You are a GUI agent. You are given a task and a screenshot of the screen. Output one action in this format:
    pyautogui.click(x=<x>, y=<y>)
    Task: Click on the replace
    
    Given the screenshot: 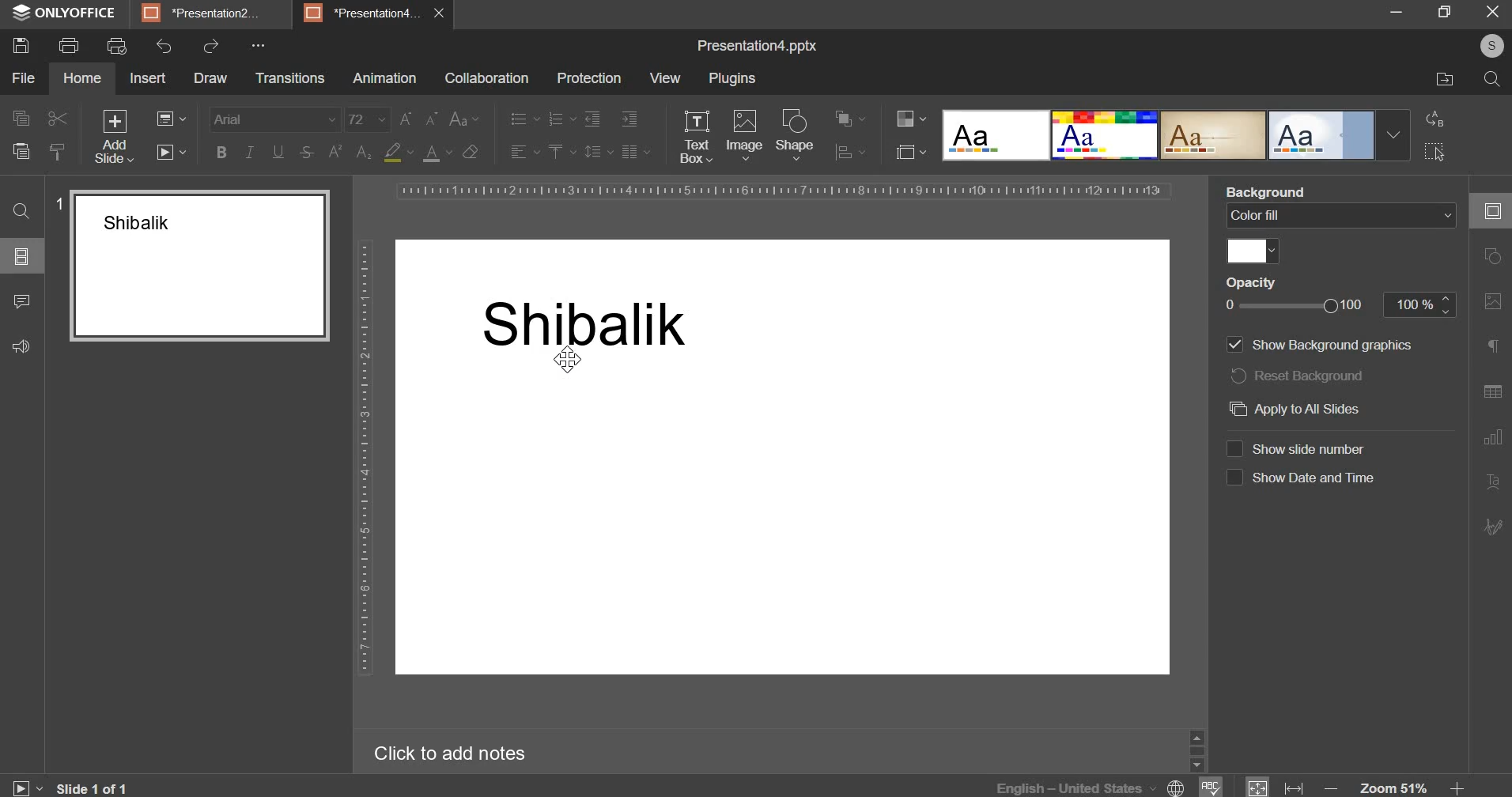 What is the action you would take?
    pyautogui.click(x=1438, y=119)
    